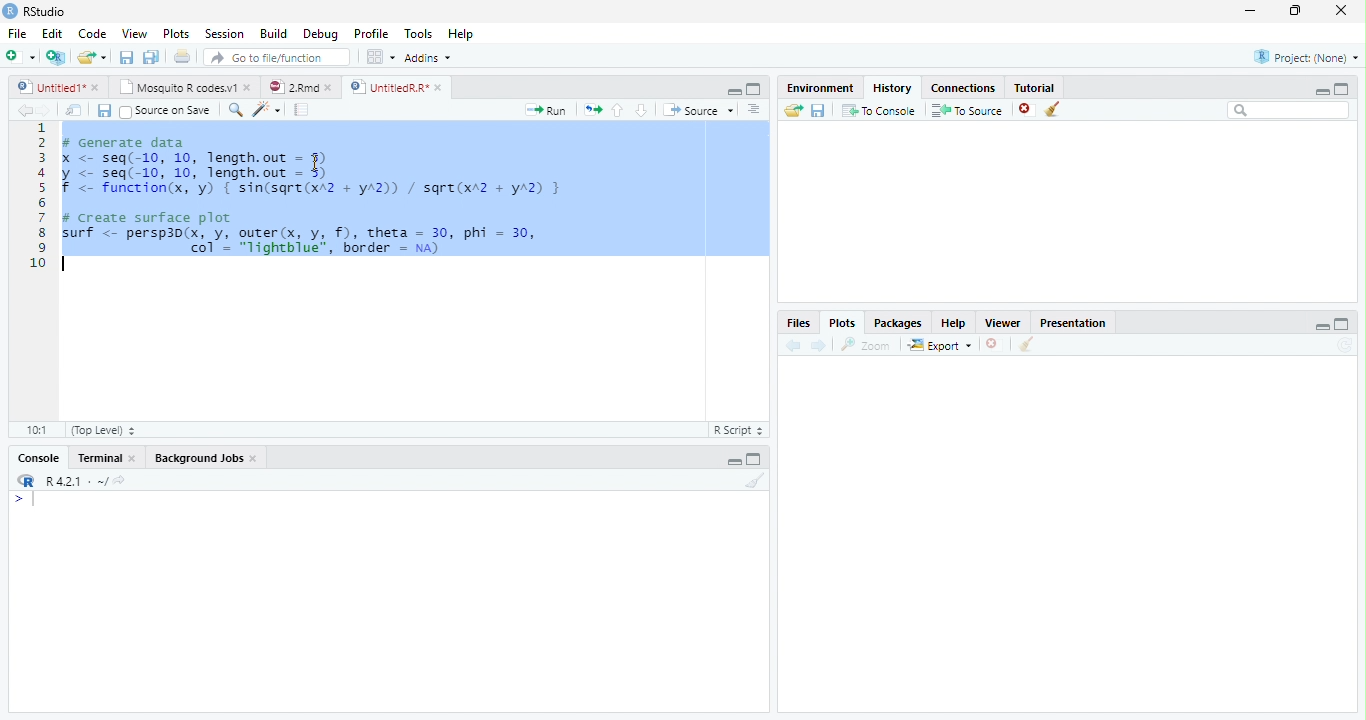  Describe the element at coordinates (820, 88) in the screenshot. I see `Environment` at that location.